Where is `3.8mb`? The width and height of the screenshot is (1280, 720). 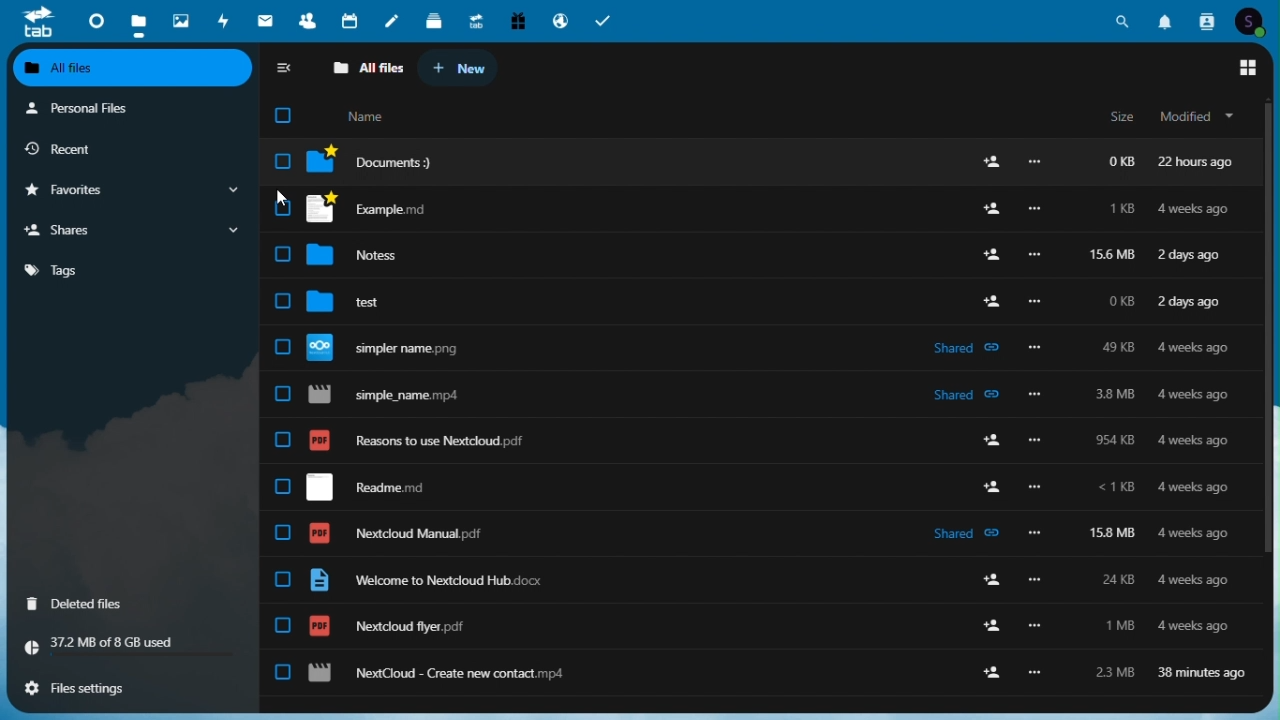
3.8mb is located at coordinates (1115, 397).